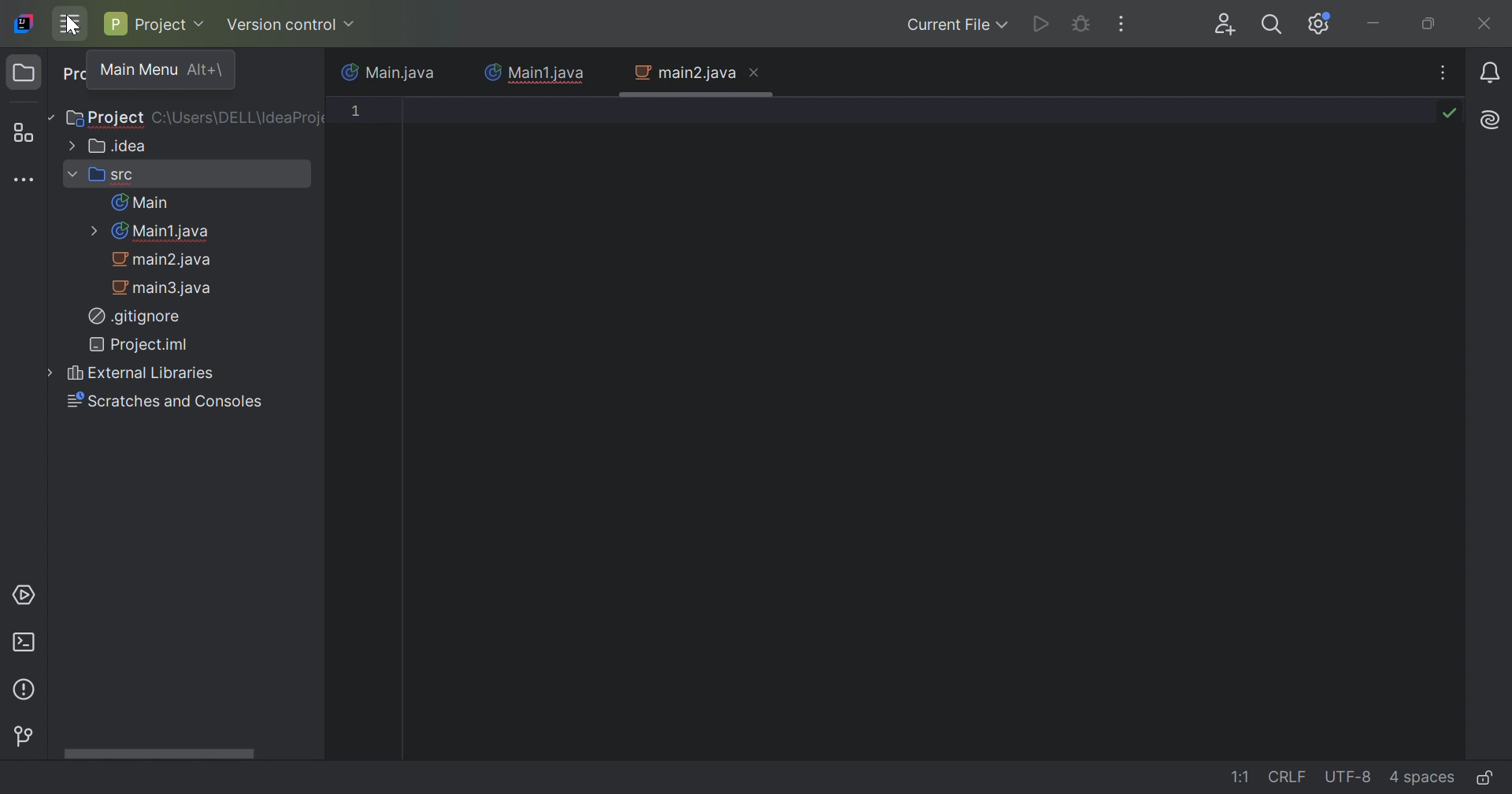 The height and width of the screenshot is (794, 1512). Describe the element at coordinates (1276, 25) in the screenshot. I see `Search everywhere` at that location.